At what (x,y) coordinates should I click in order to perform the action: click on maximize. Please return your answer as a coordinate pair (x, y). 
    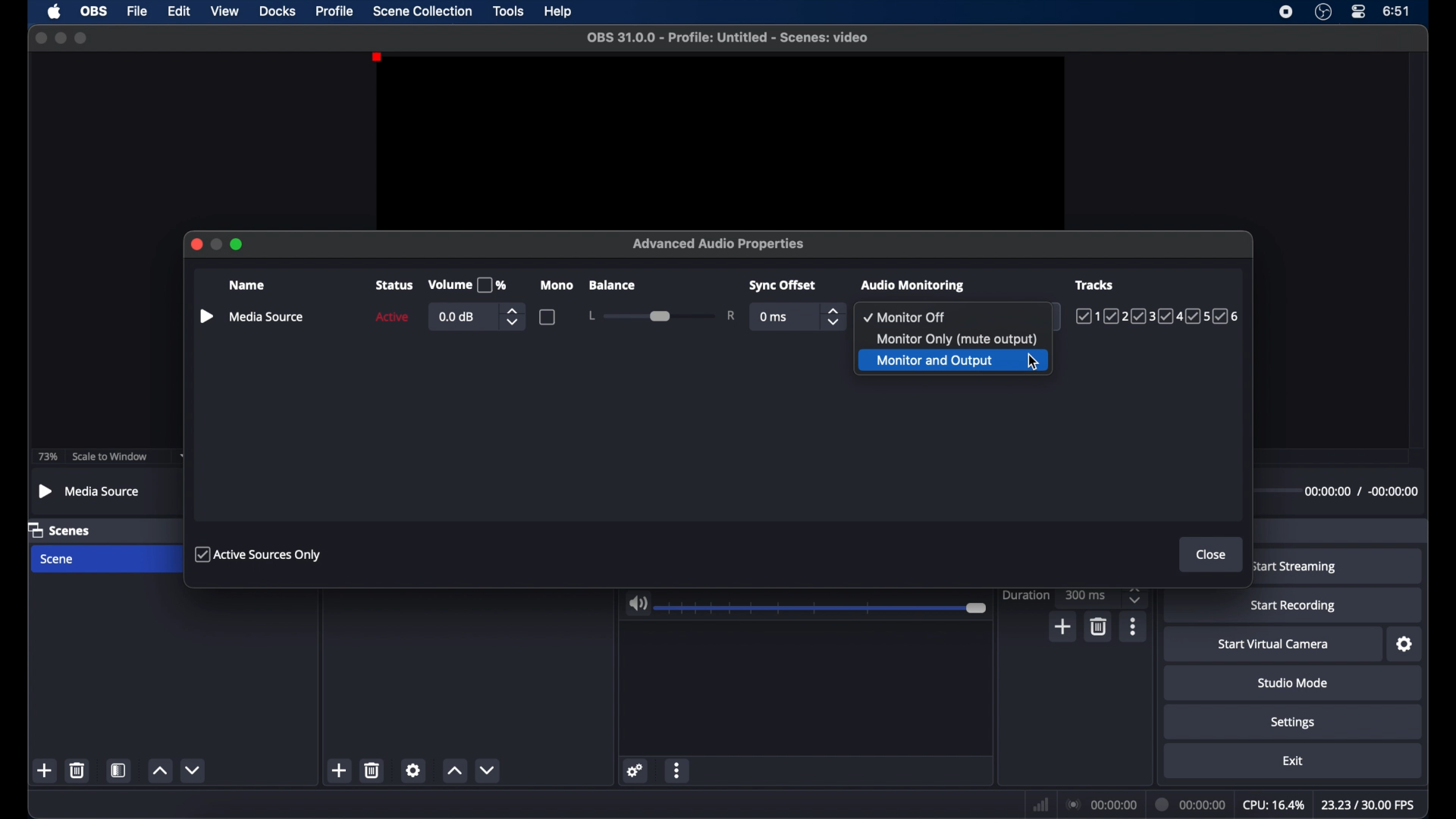
    Looking at the image, I should click on (82, 38).